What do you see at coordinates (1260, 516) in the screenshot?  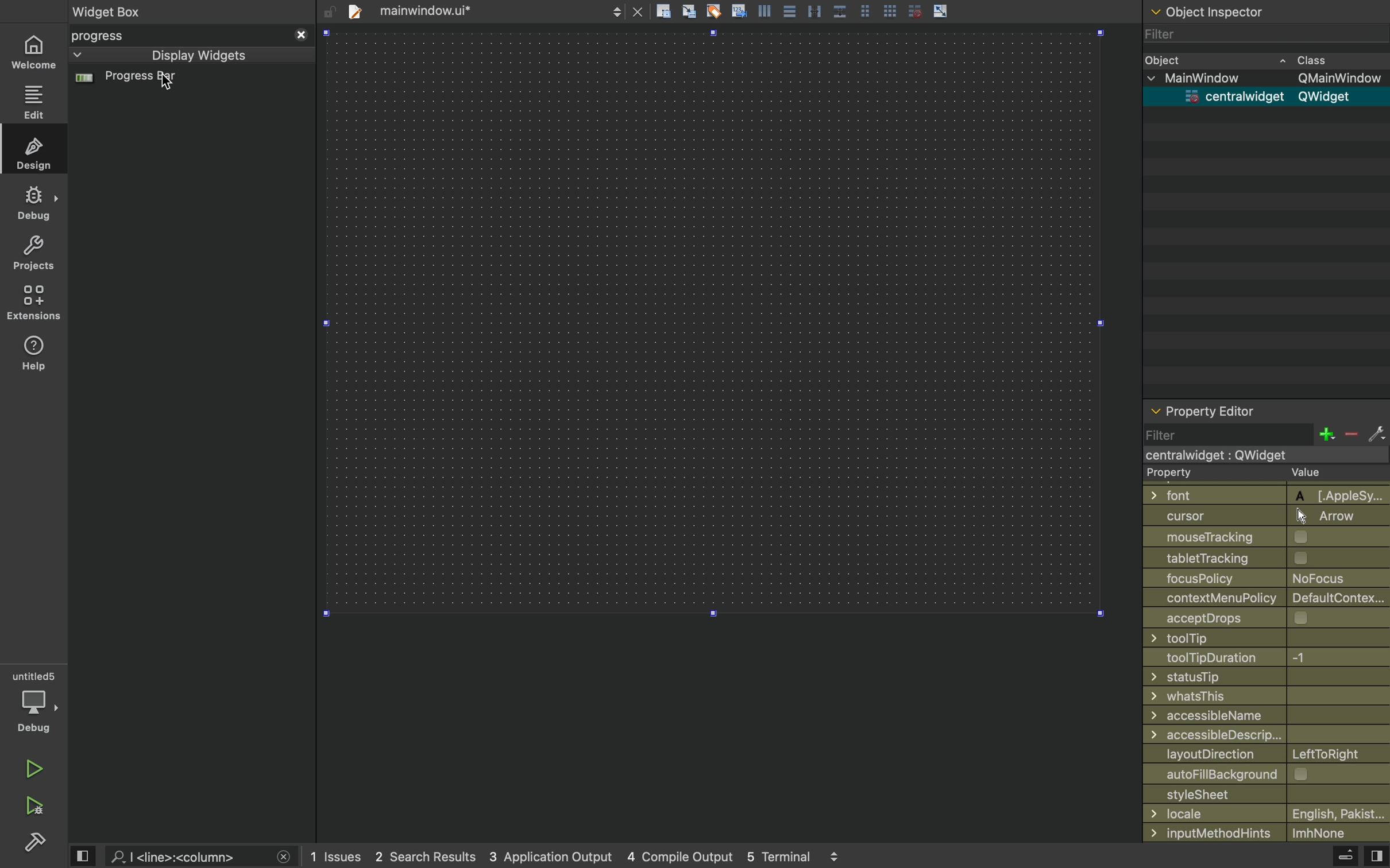 I see `cursor` at bounding box center [1260, 516].